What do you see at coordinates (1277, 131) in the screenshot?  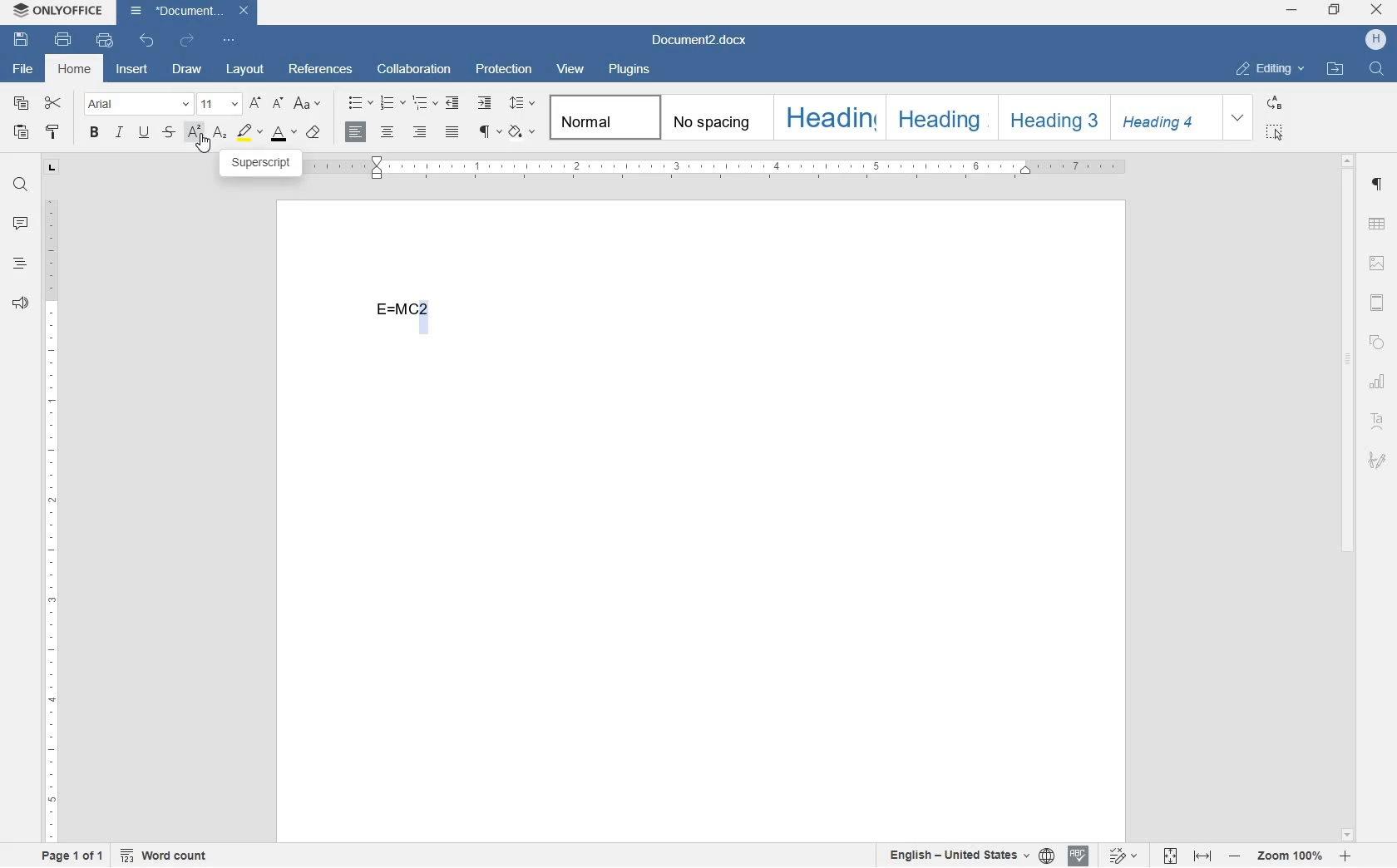 I see `select all` at bounding box center [1277, 131].